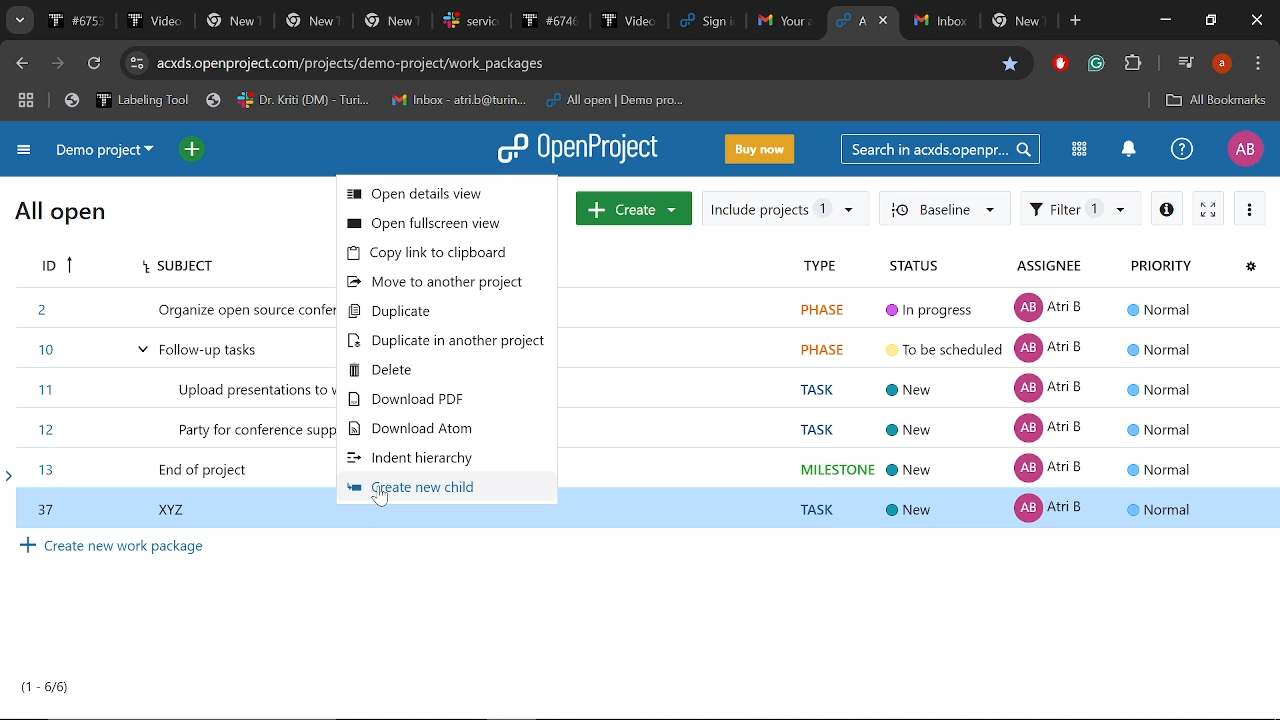  Describe the element at coordinates (18, 20) in the screenshot. I see `Search tabs` at that location.